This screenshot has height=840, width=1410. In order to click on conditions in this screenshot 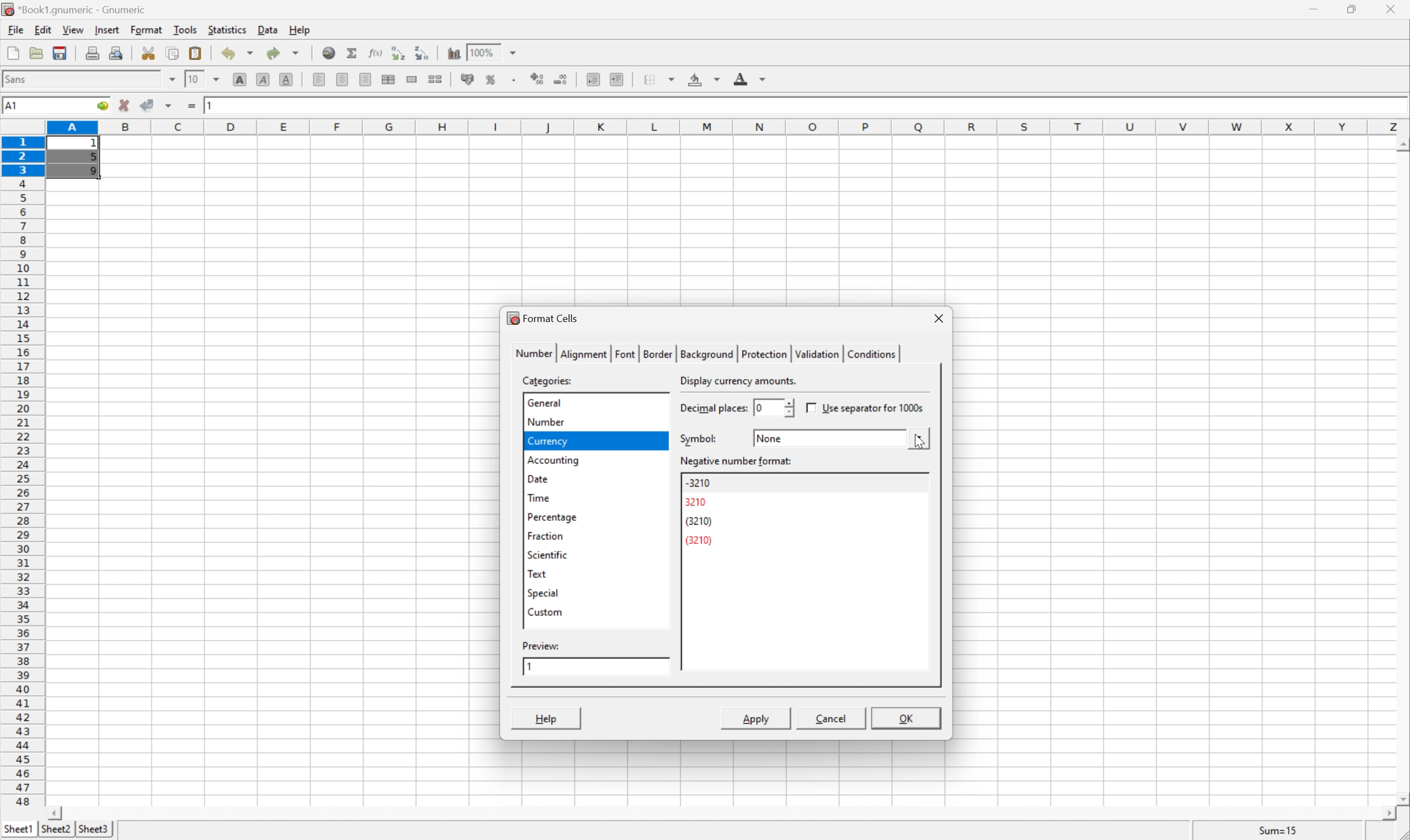, I will do `click(869, 353)`.